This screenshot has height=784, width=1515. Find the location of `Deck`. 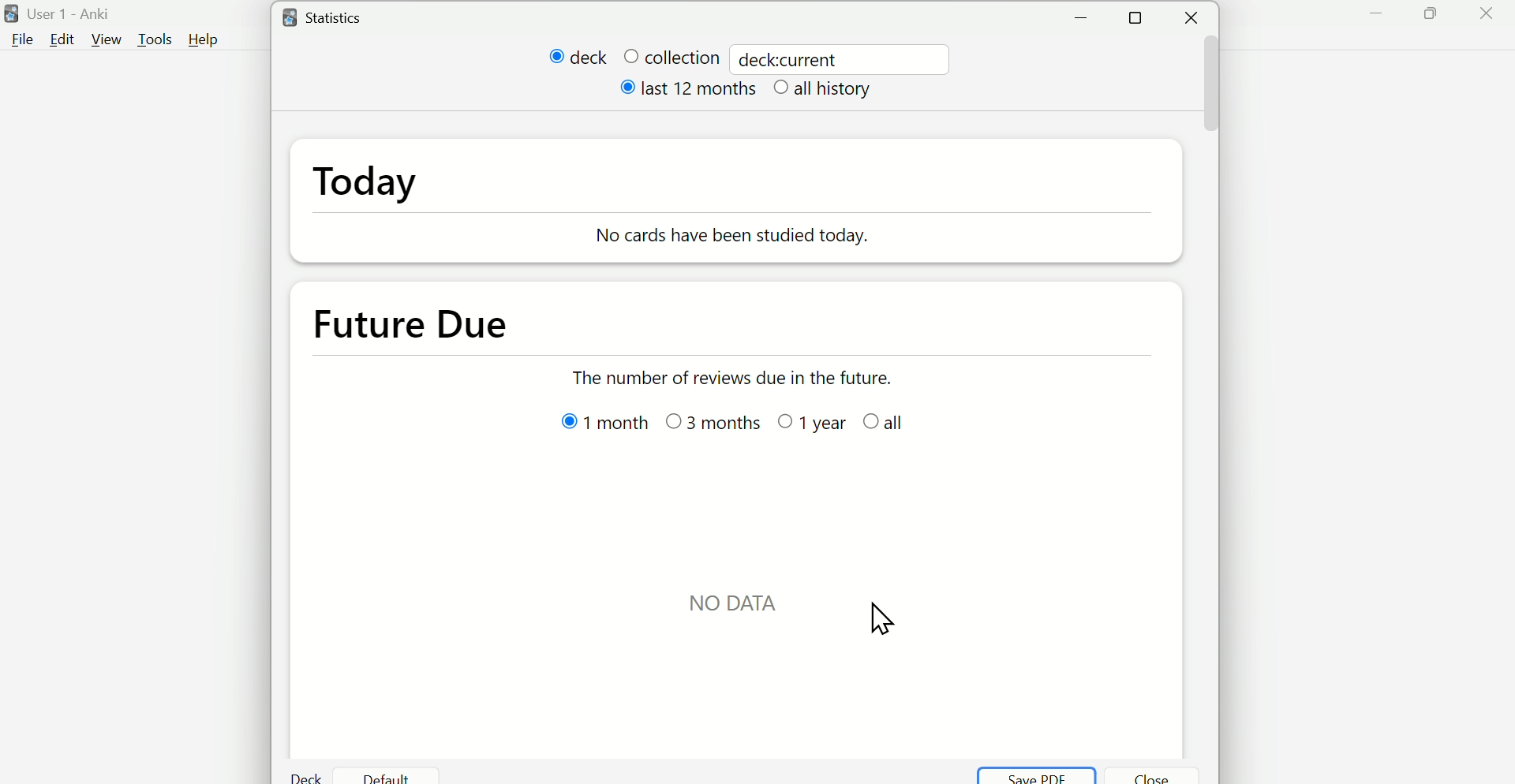

Deck is located at coordinates (303, 774).